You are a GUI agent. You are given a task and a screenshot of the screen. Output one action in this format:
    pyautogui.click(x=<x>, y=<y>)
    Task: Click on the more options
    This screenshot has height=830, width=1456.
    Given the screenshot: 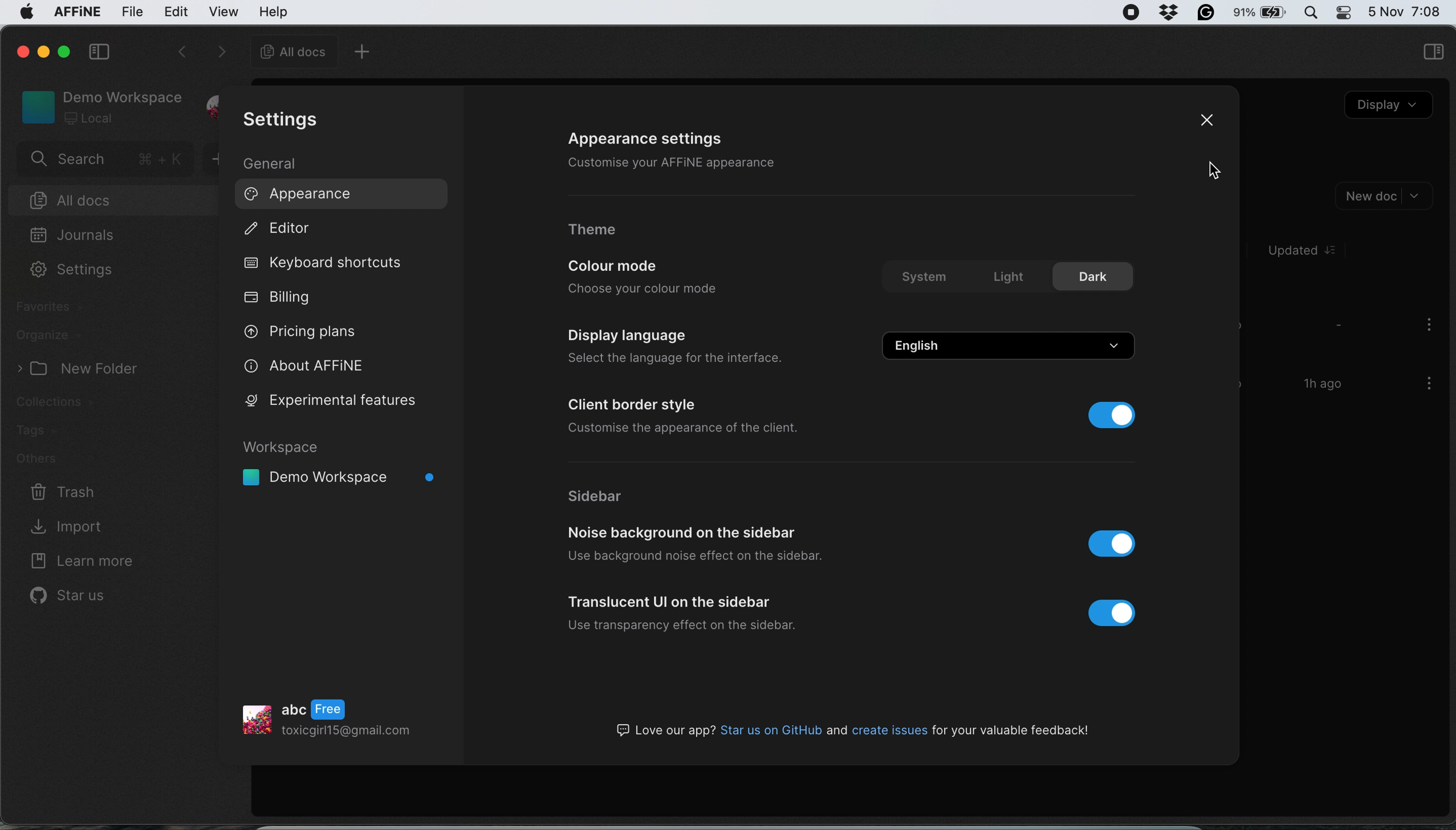 What is the action you would take?
    pyautogui.click(x=1430, y=328)
    